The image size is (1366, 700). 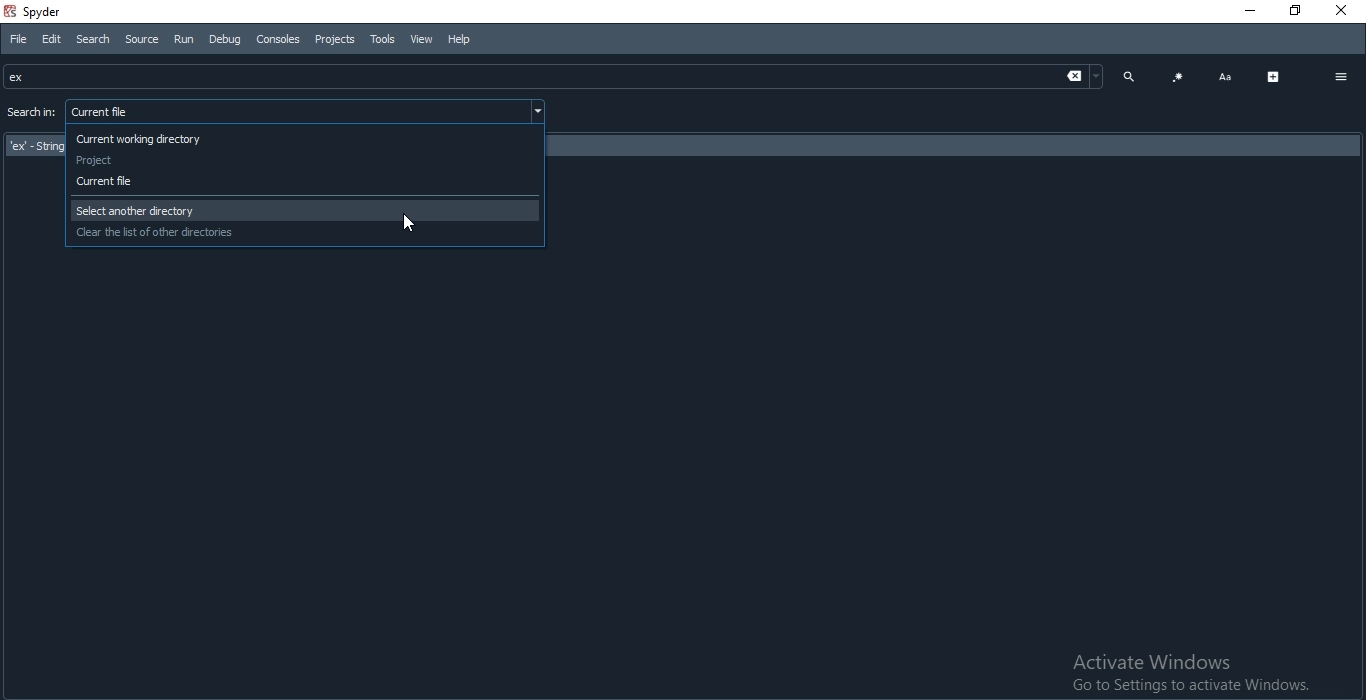 I want to click on Restore, so click(x=1297, y=11).